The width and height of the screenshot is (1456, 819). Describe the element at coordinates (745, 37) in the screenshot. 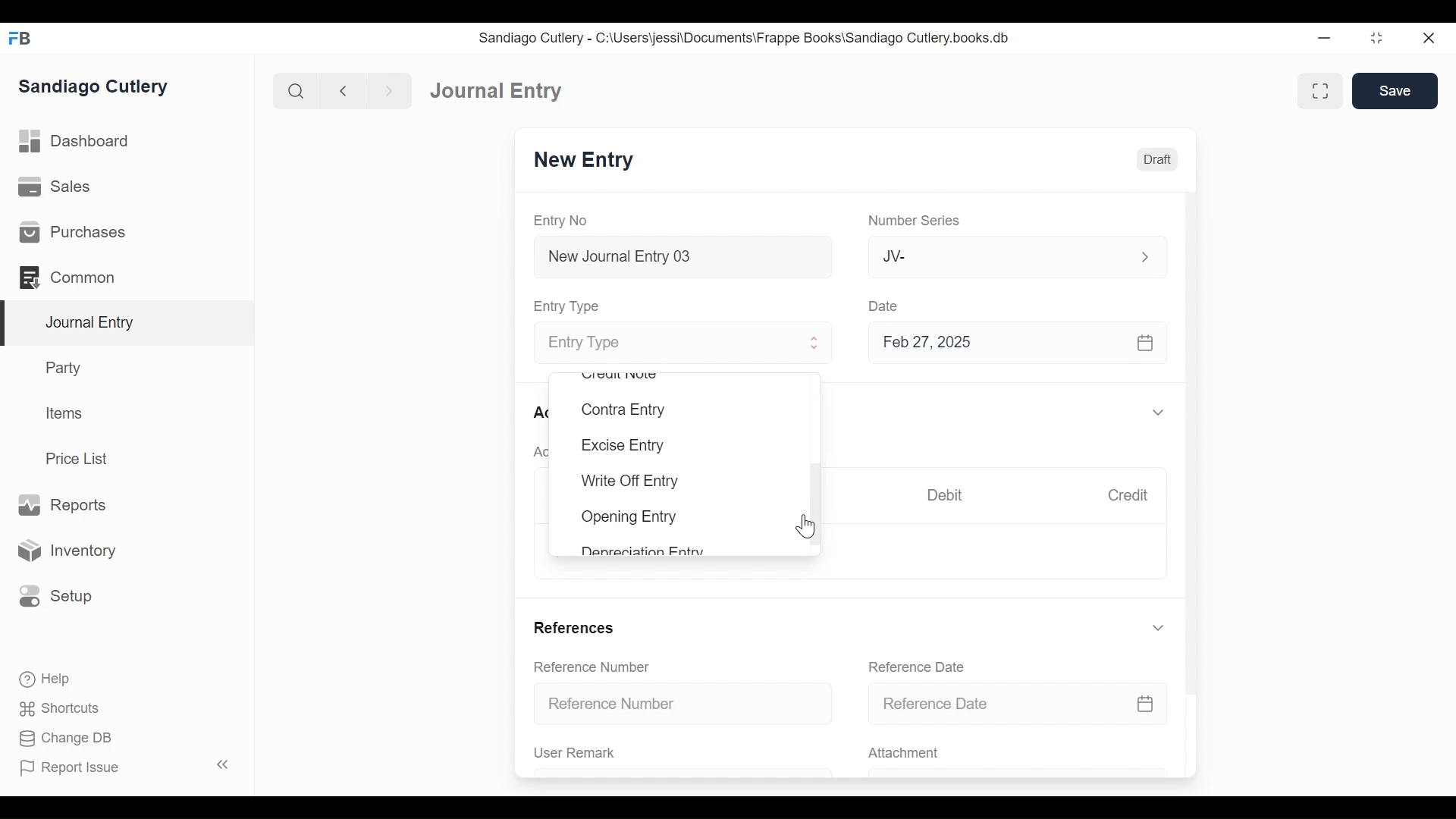

I see `Sandiago Cutlery - C:\Users\jessi\Documents\Frappe Books\Sandiago Cutlery.books.db` at that location.